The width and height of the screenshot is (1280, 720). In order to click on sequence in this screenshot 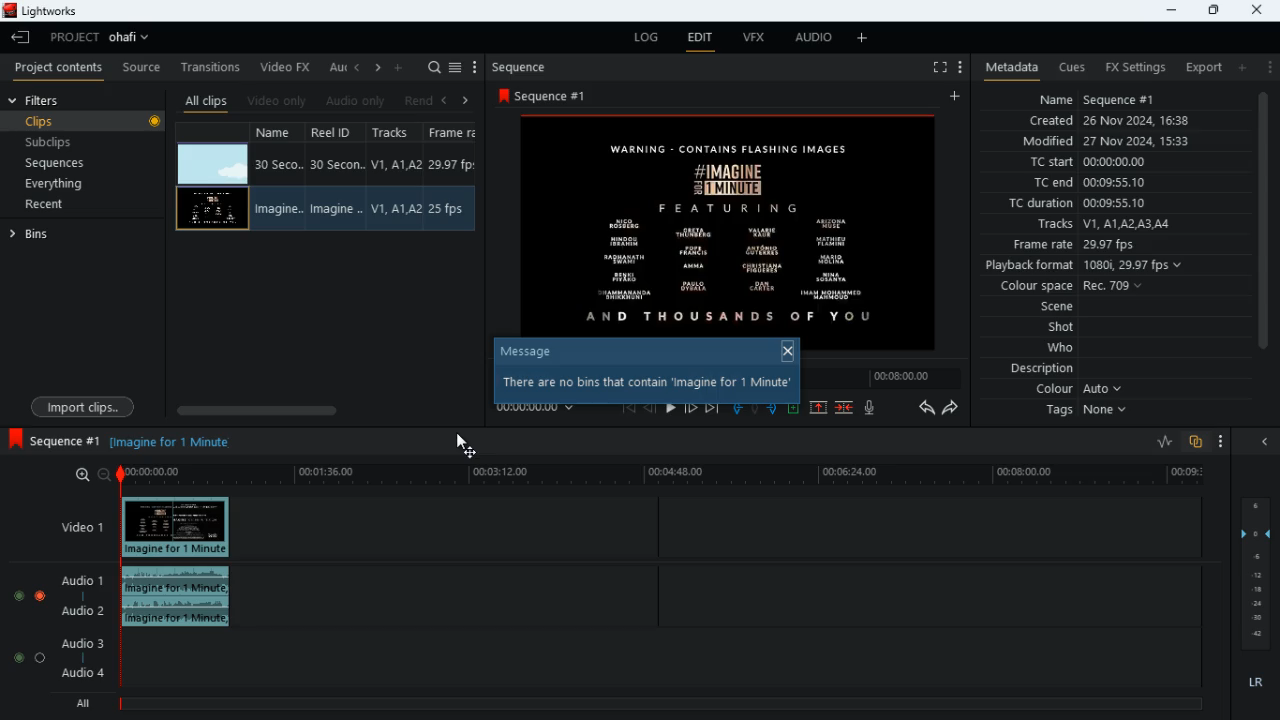, I will do `click(55, 438)`.